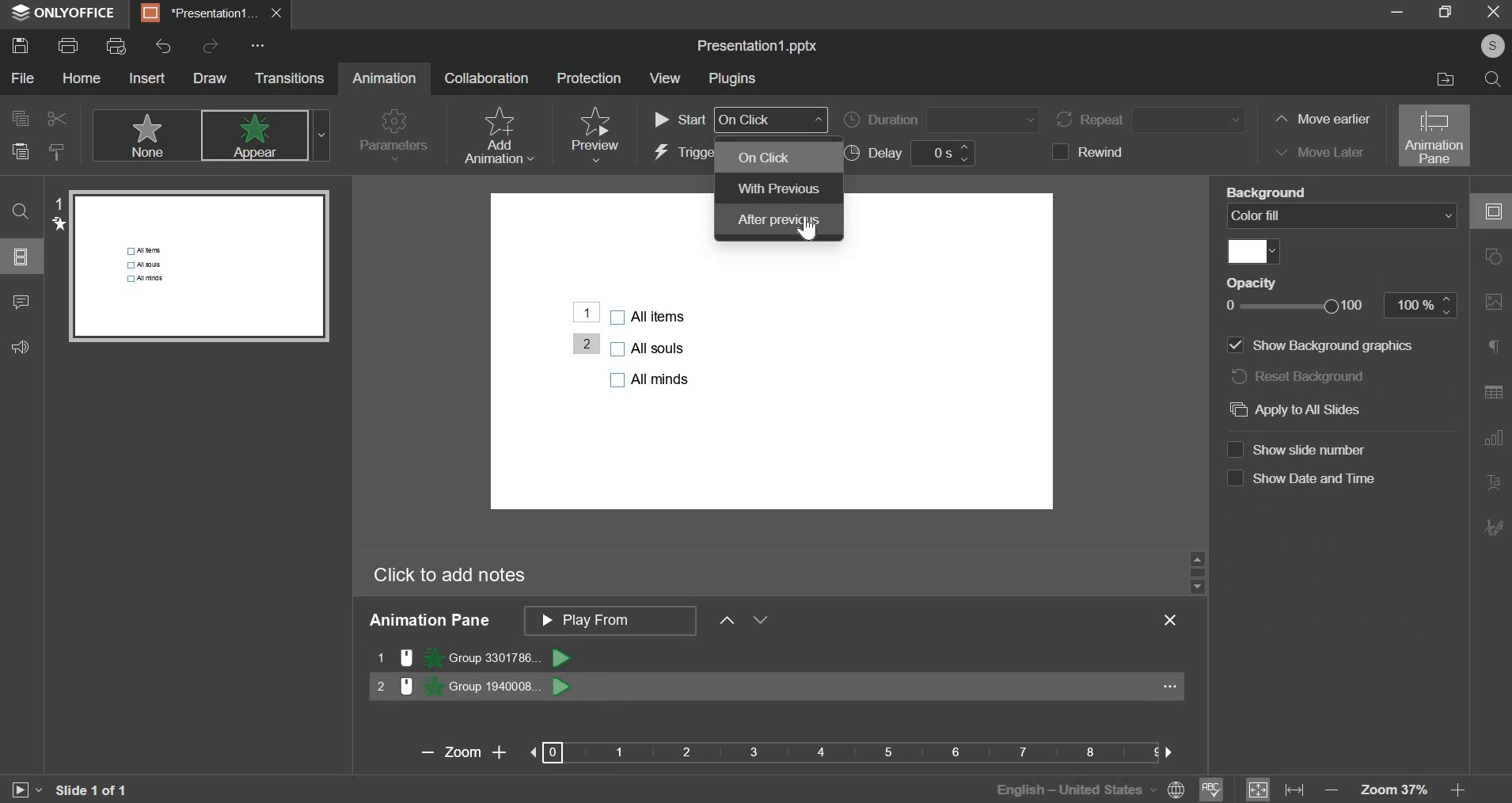 Image resolution: width=1512 pixels, height=803 pixels. I want to click on start order, so click(740, 120).